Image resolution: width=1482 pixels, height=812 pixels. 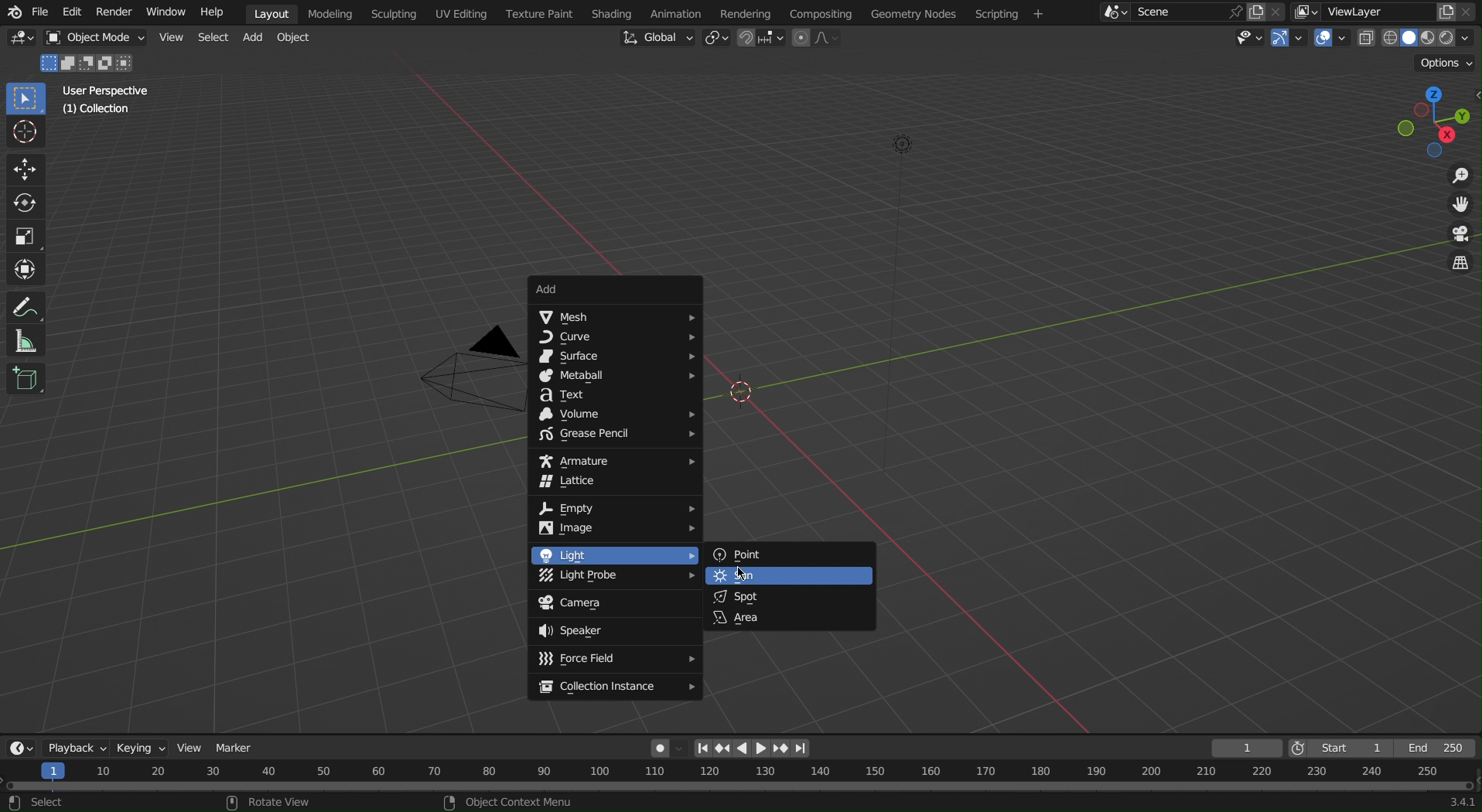 I want to click on Empty, so click(x=615, y=508).